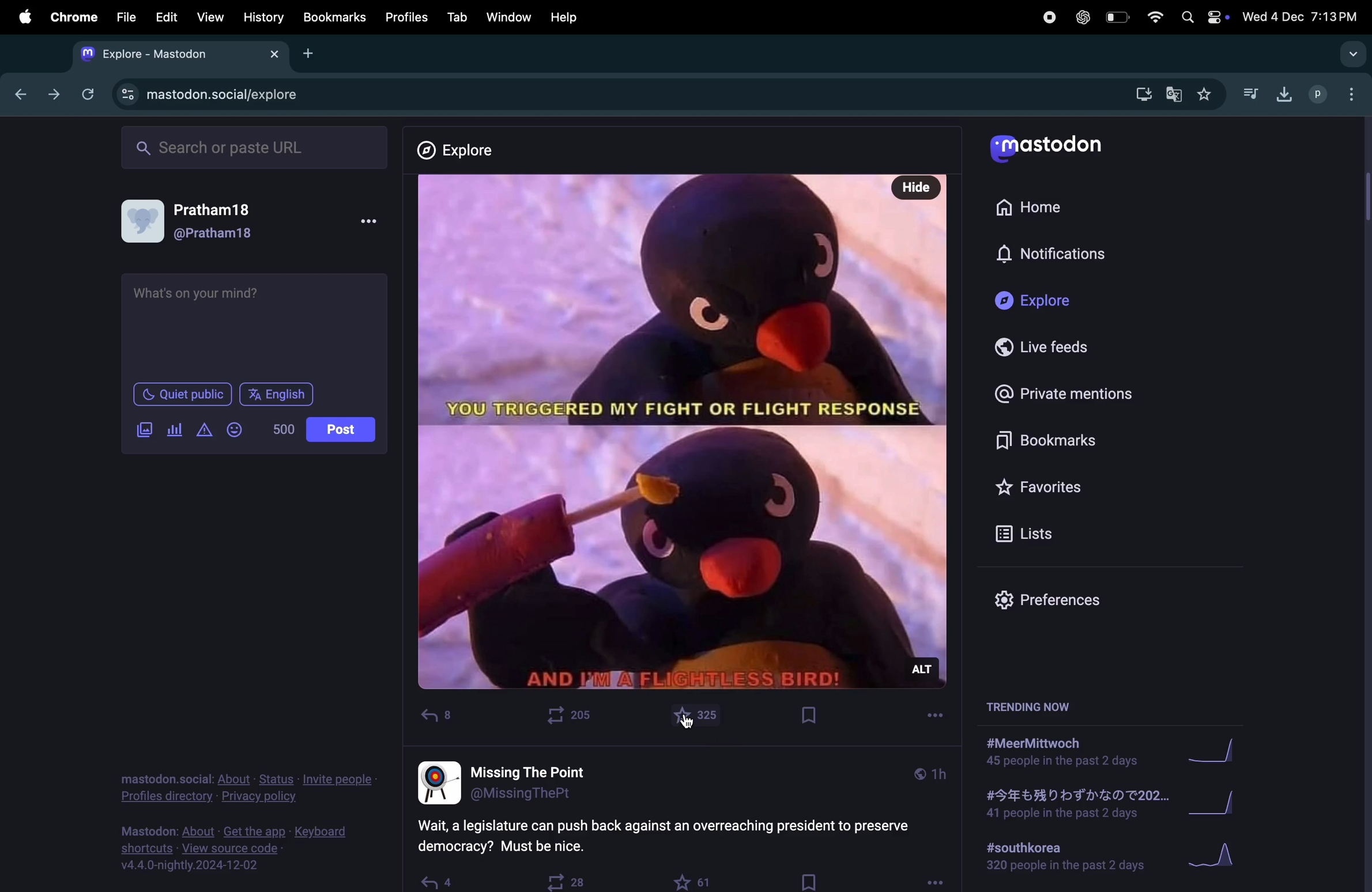 This screenshot has width=1372, height=892. I want to click on view source code, so click(244, 849).